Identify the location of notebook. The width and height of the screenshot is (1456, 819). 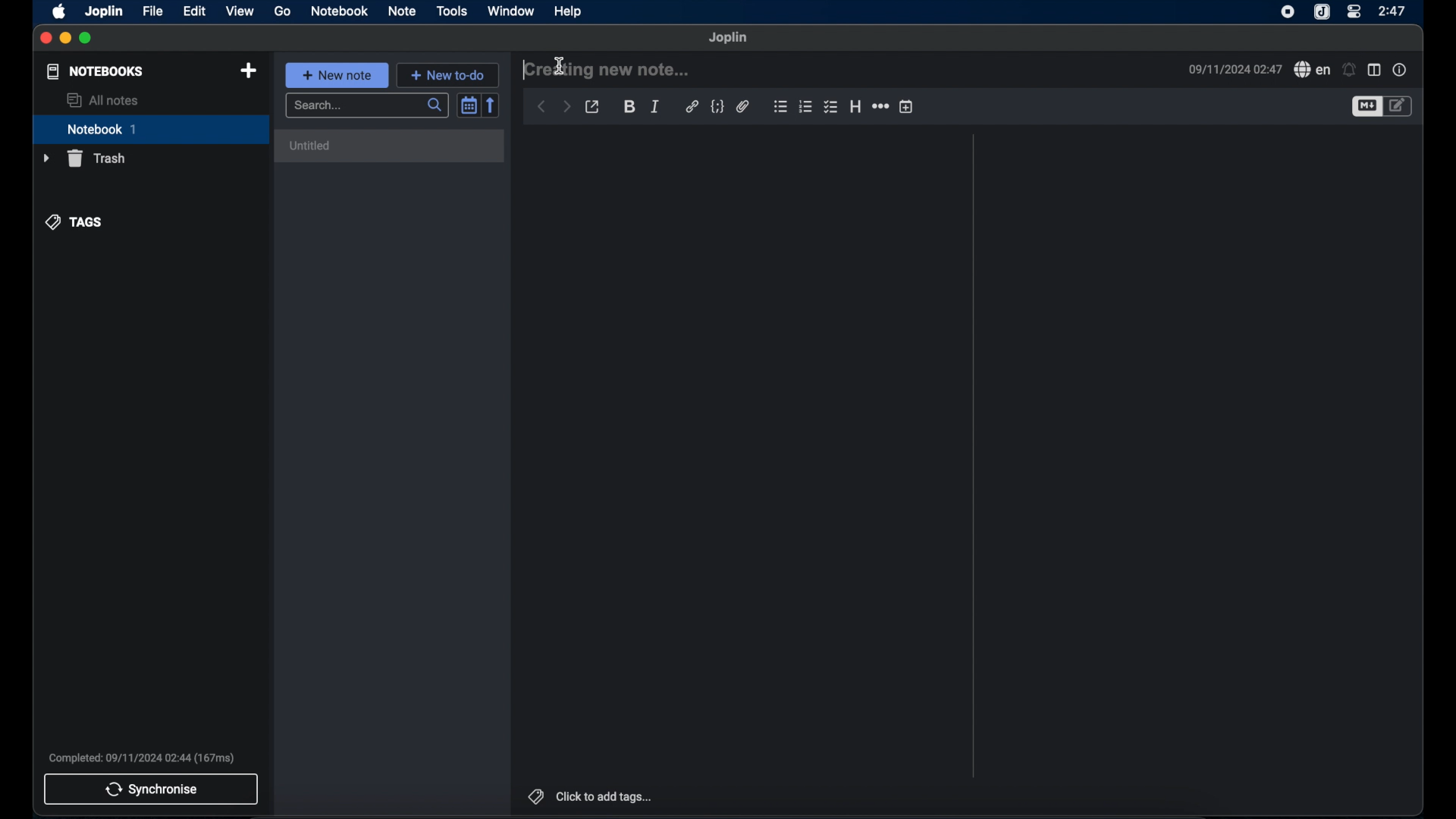
(339, 11).